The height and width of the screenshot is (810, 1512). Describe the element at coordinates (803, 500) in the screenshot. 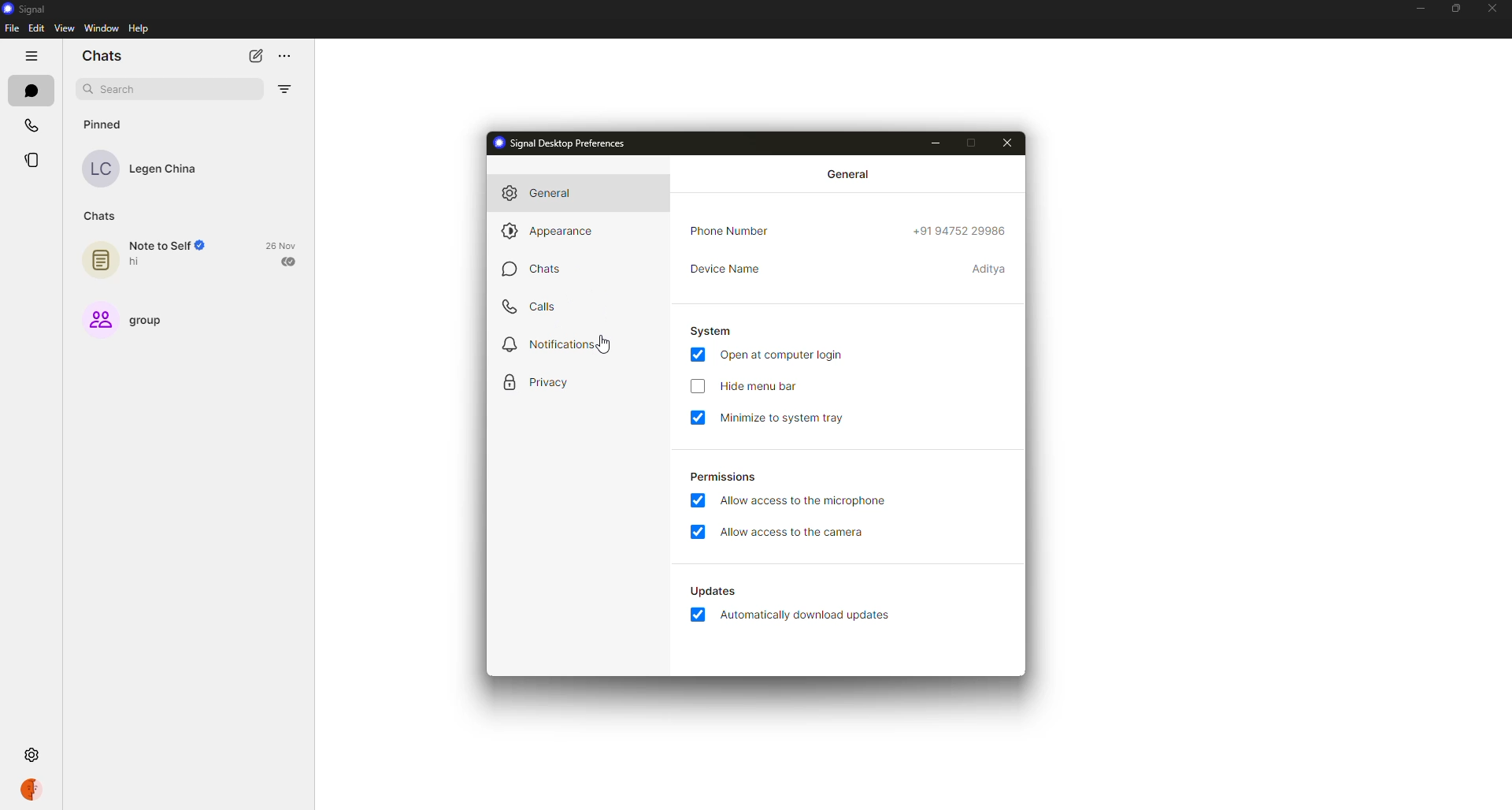

I see `allow access to microphone` at that location.